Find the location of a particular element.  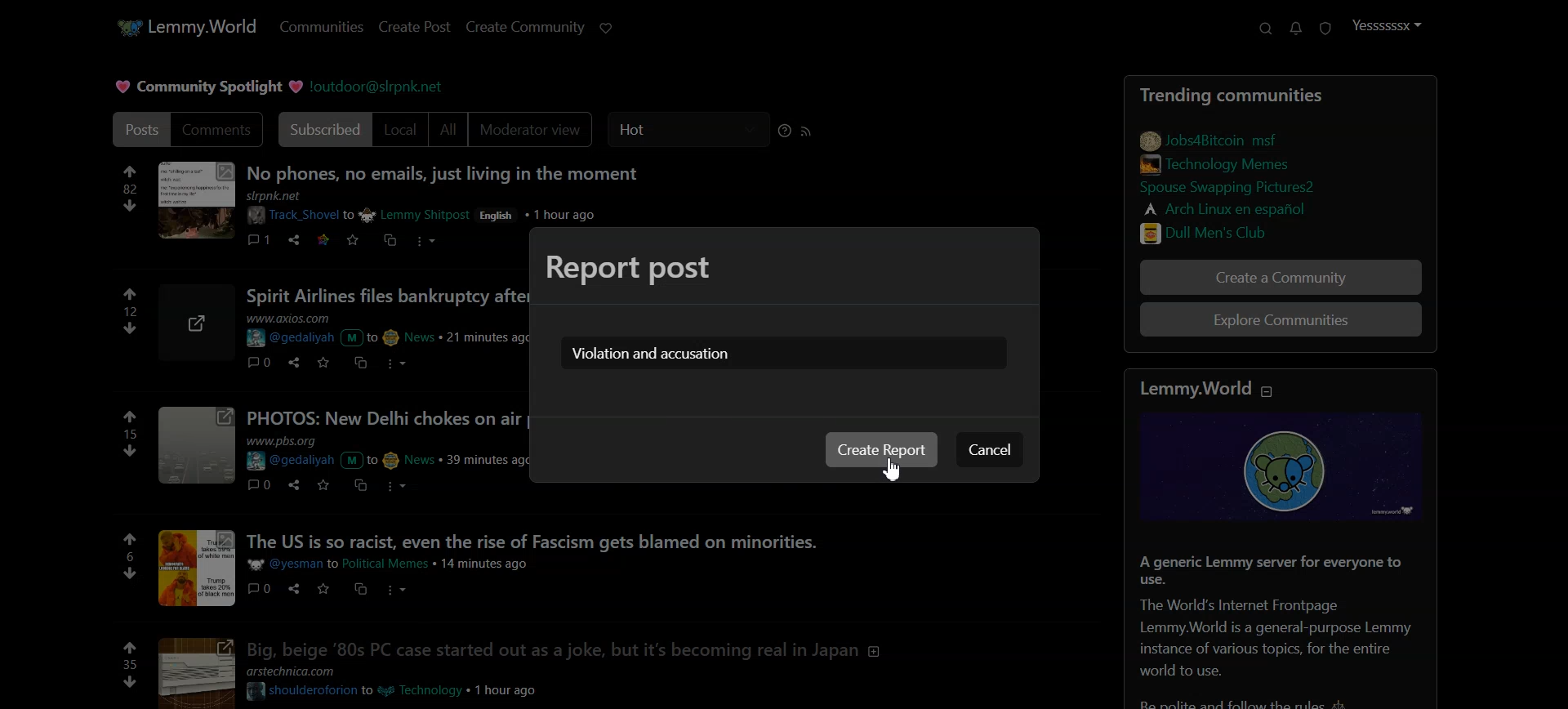

cross post is located at coordinates (389, 239).